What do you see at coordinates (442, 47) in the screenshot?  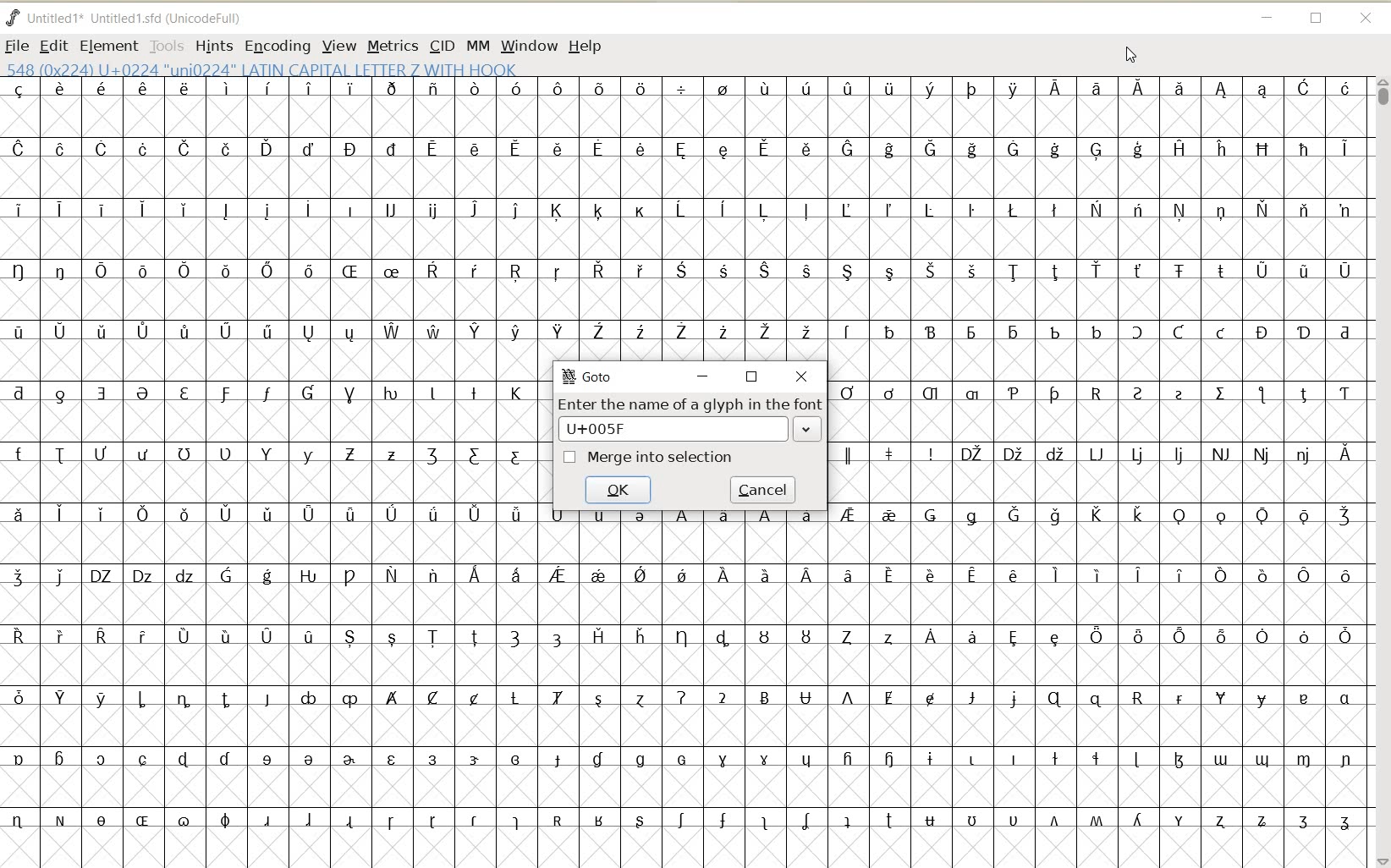 I see `CID` at bounding box center [442, 47].